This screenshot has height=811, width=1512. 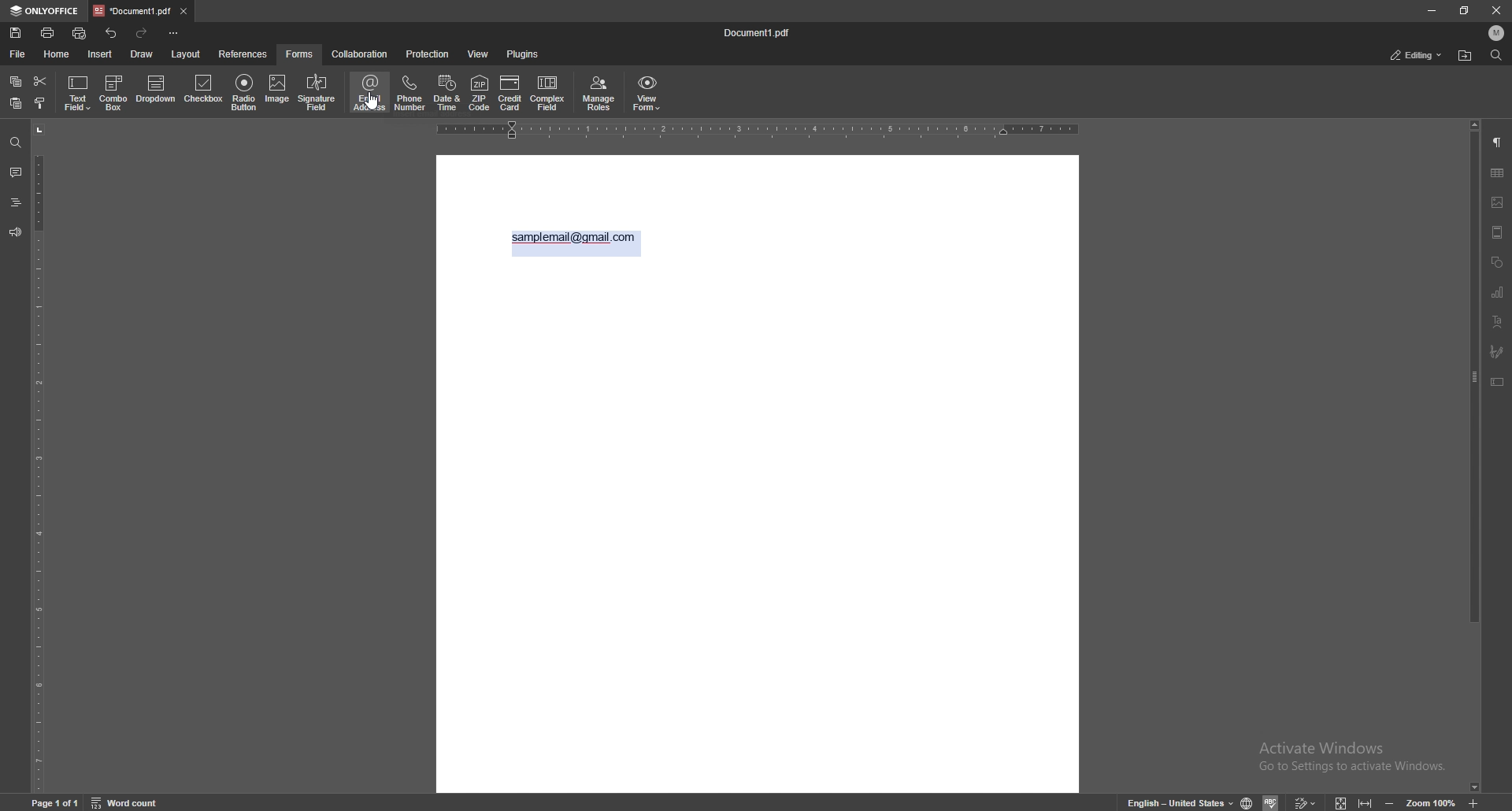 What do you see at coordinates (205, 90) in the screenshot?
I see `checkbox` at bounding box center [205, 90].